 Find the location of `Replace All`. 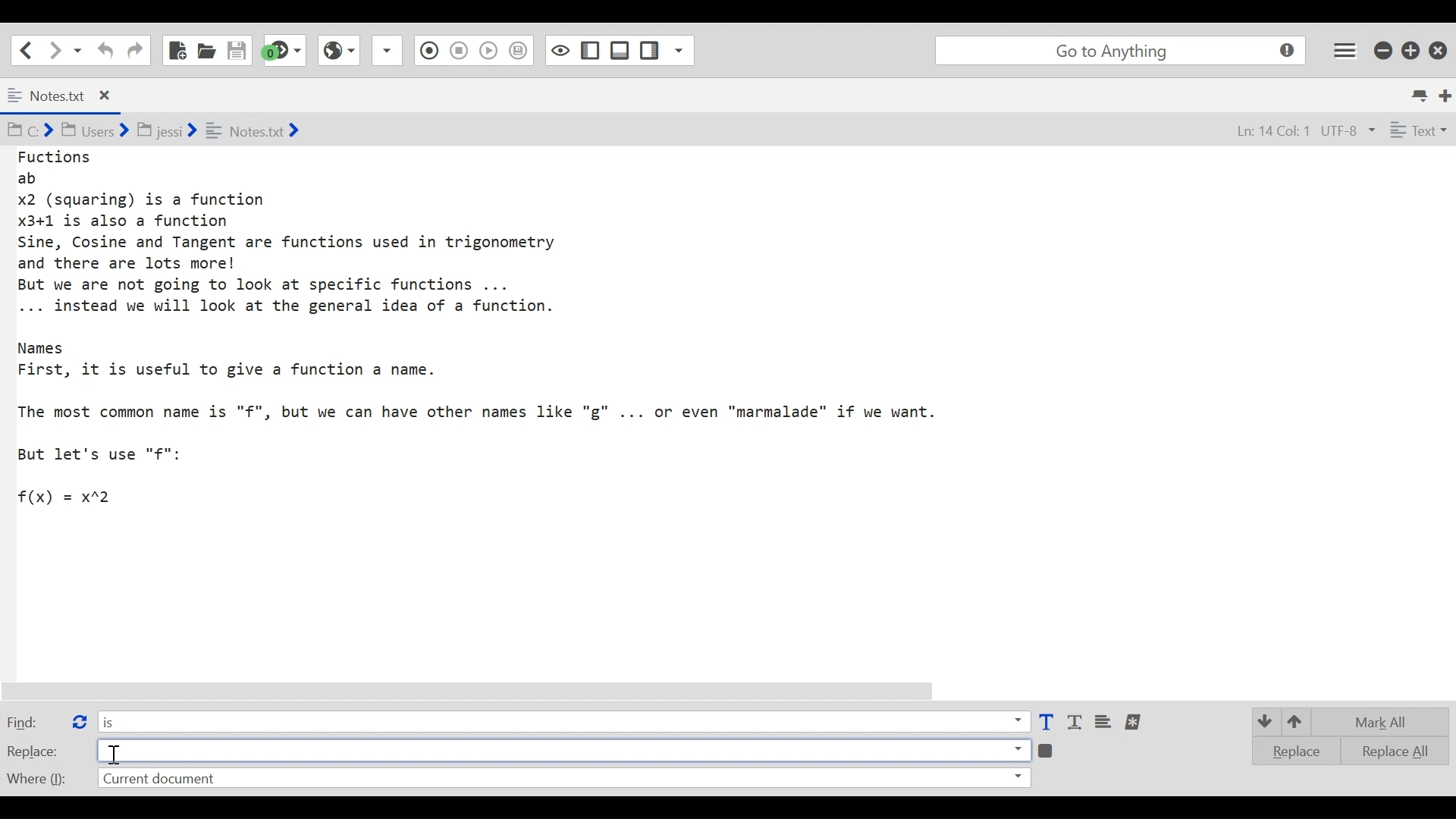

Replace All is located at coordinates (1385, 749).